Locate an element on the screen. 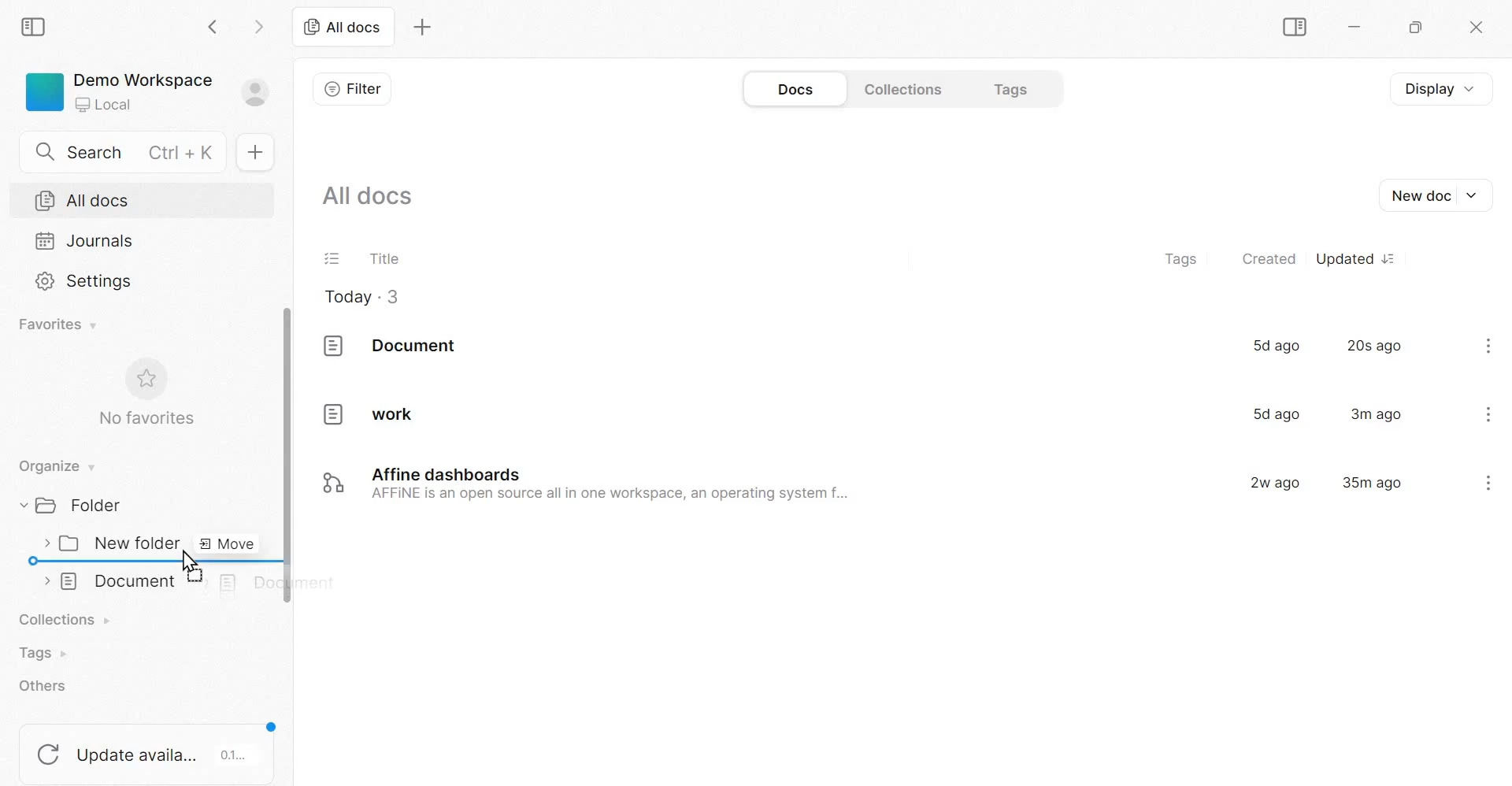 This screenshot has width=1512, height=786. go back is located at coordinates (215, 26).